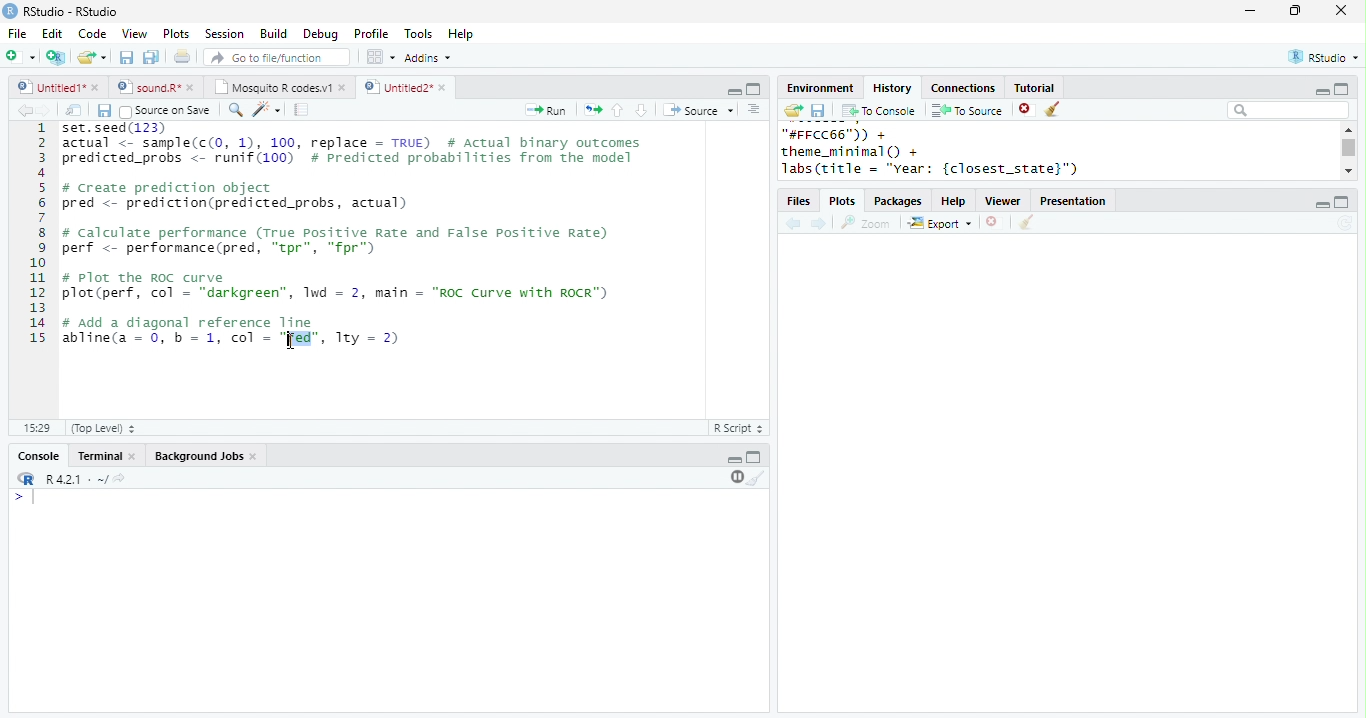 This screenshot has height=718, width=1366. What do you see at coordinates (754, 109) in the screenshot?
I see `options` at bounding box center [754, 109].